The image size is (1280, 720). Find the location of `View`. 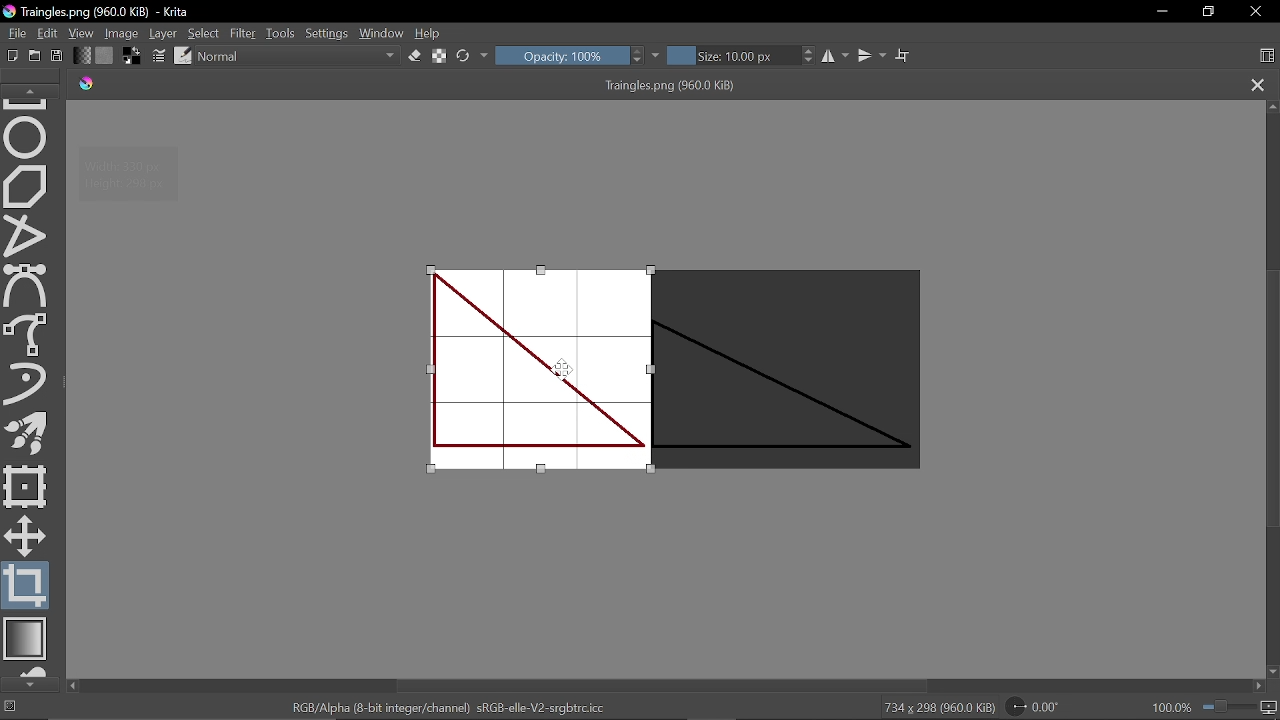

View is located at coordinates (82, 33).